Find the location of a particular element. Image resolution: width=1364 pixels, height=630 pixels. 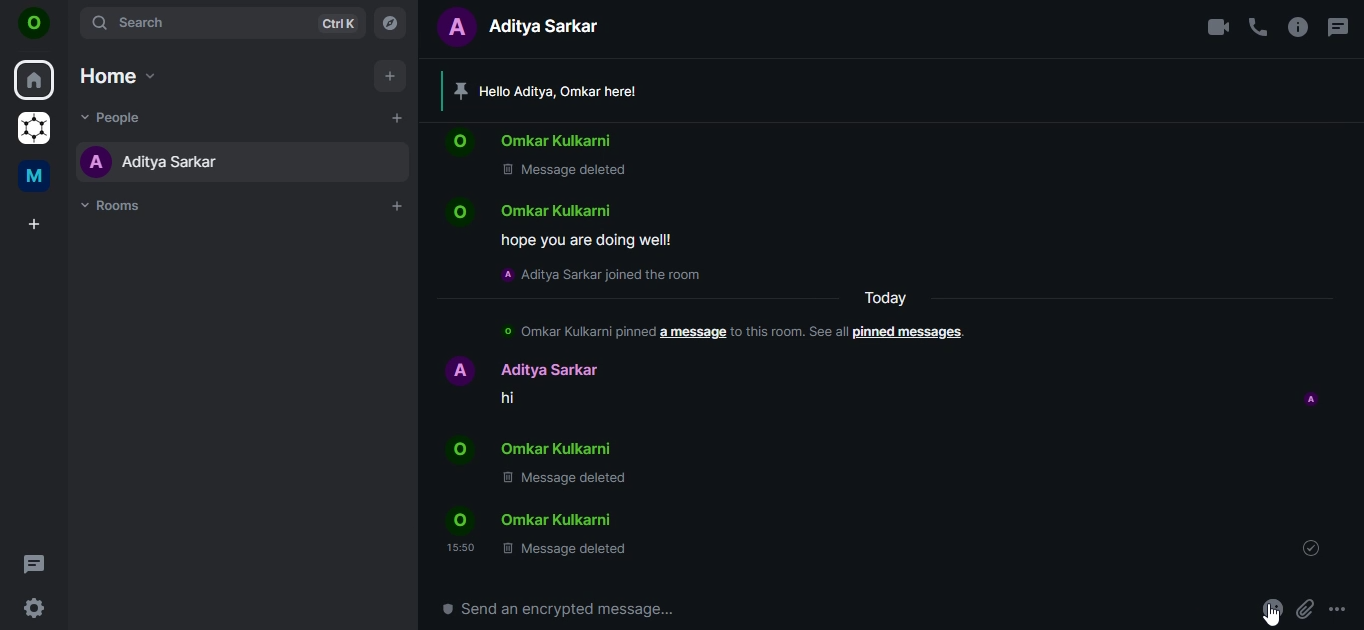

home is located at coordinates (34, 80).